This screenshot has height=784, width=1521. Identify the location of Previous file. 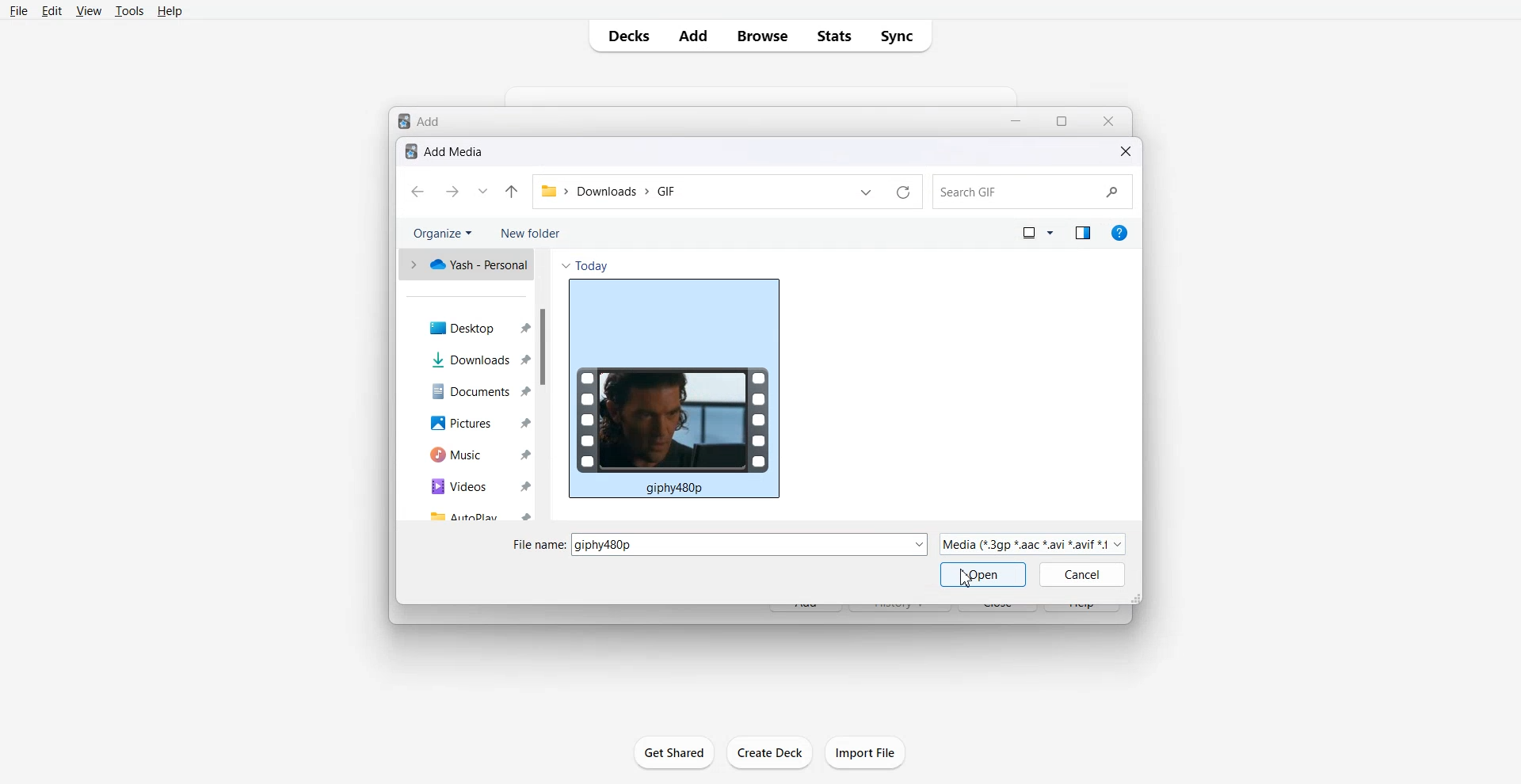
(864, 192).